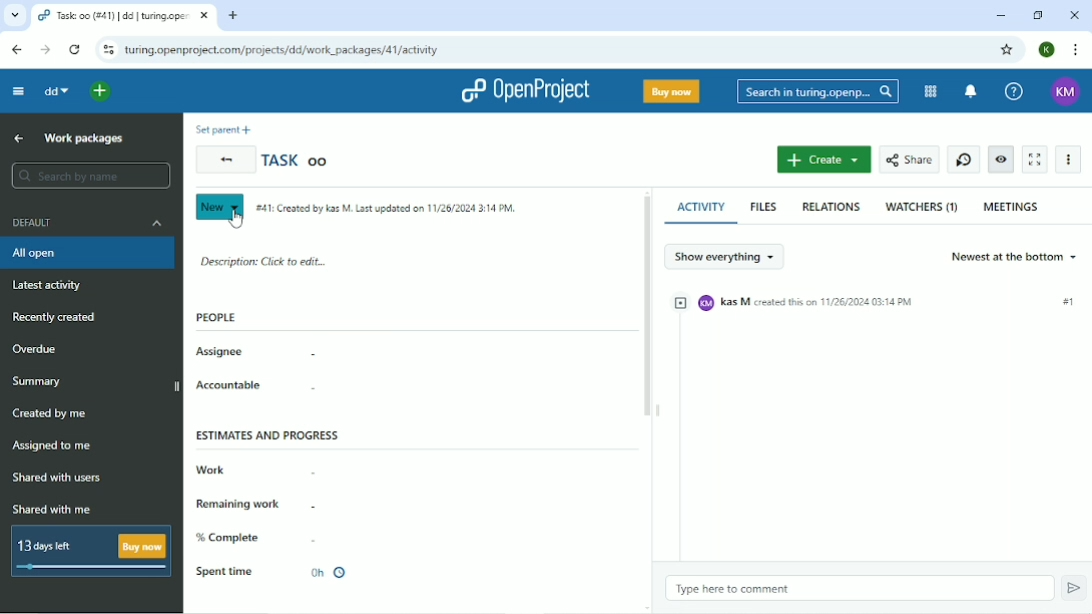  What do you see at coordinates (20, 139) in the screenshot?
I see `Up` at bounding box center [20, 139].